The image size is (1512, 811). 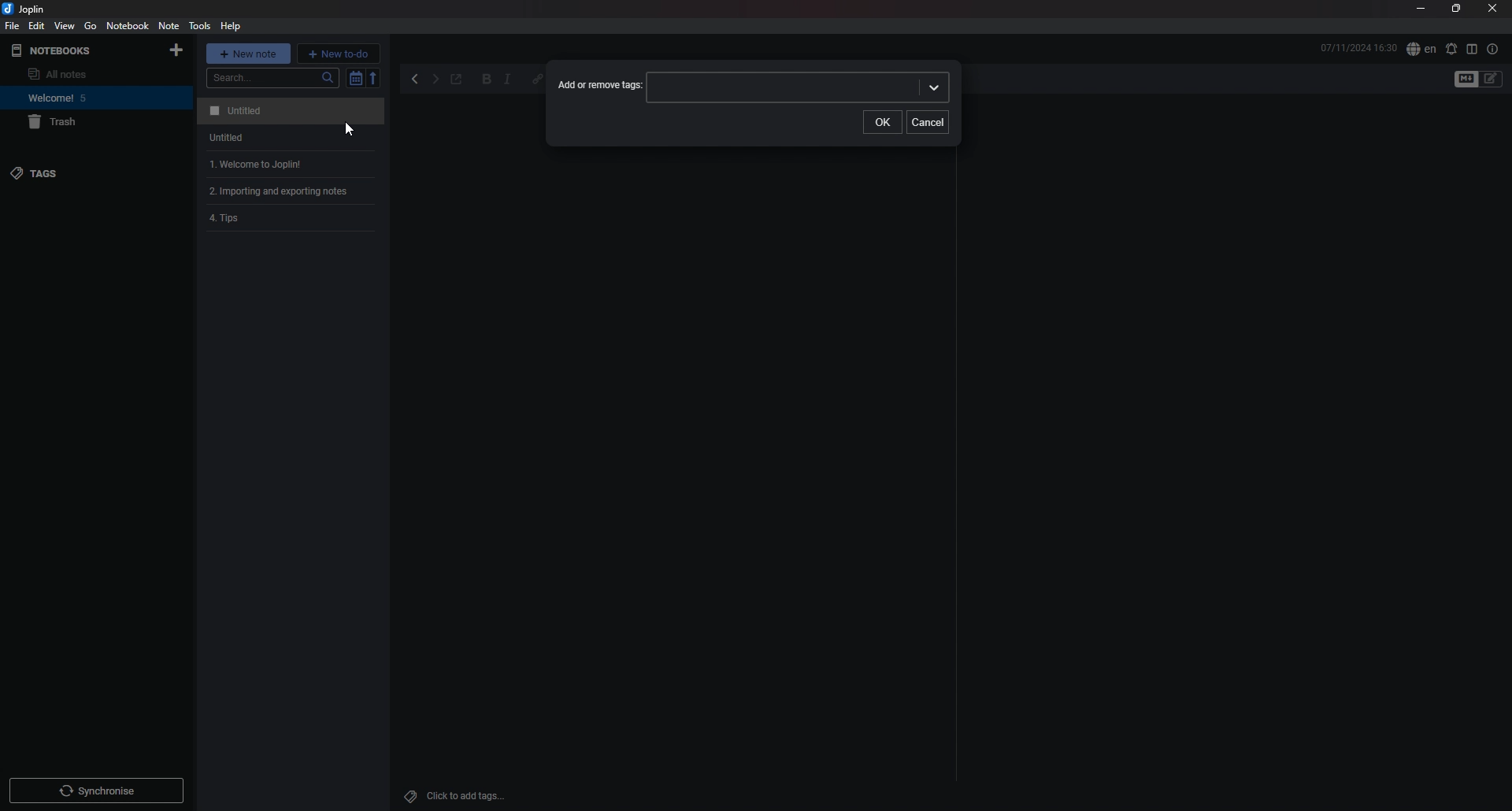 What do you see at coordinates (883, 121) in the screenshot?
I see `ok` at bounding box center [883, 121].